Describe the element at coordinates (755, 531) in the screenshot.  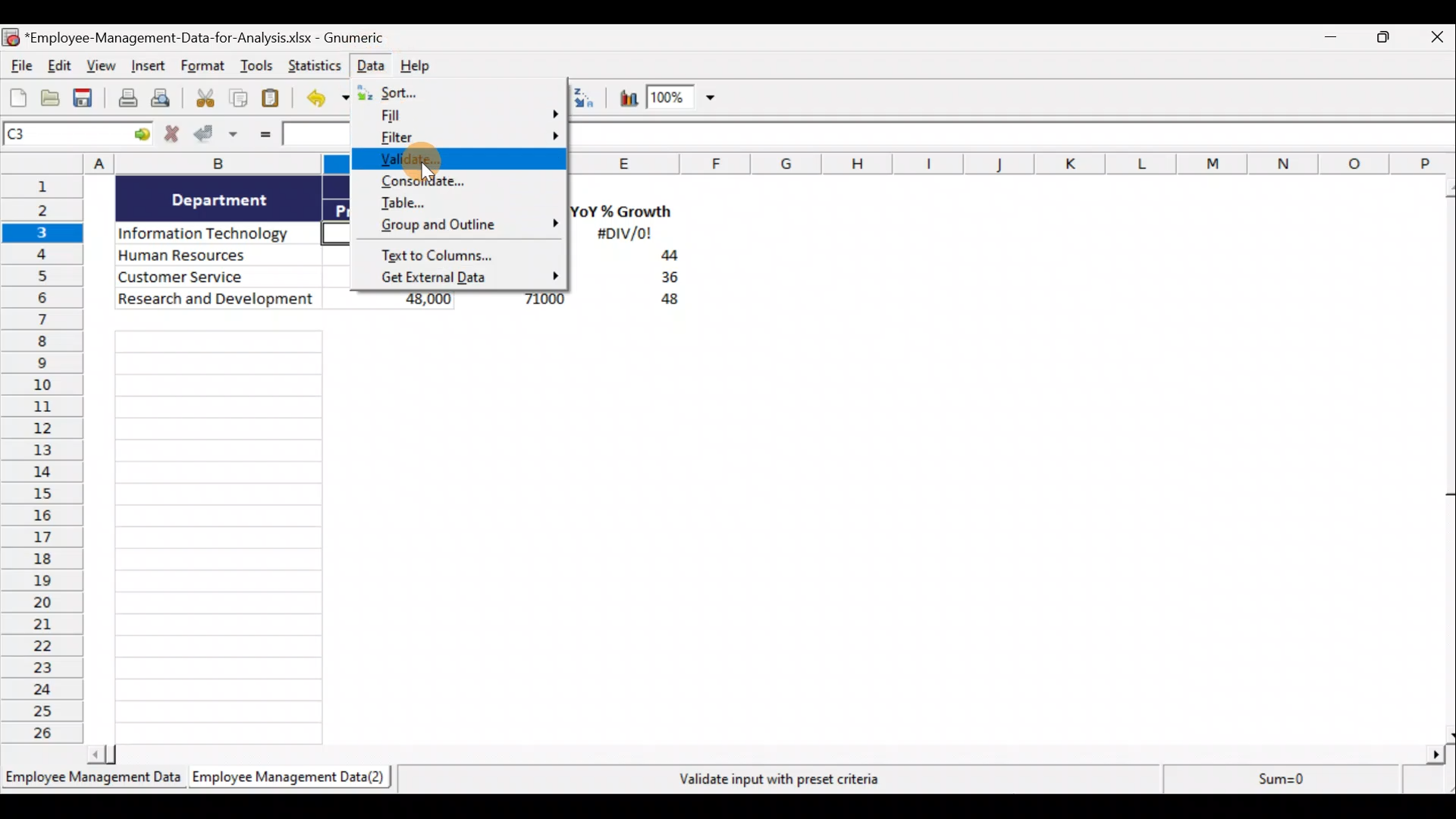
I see `Cells` at that location.